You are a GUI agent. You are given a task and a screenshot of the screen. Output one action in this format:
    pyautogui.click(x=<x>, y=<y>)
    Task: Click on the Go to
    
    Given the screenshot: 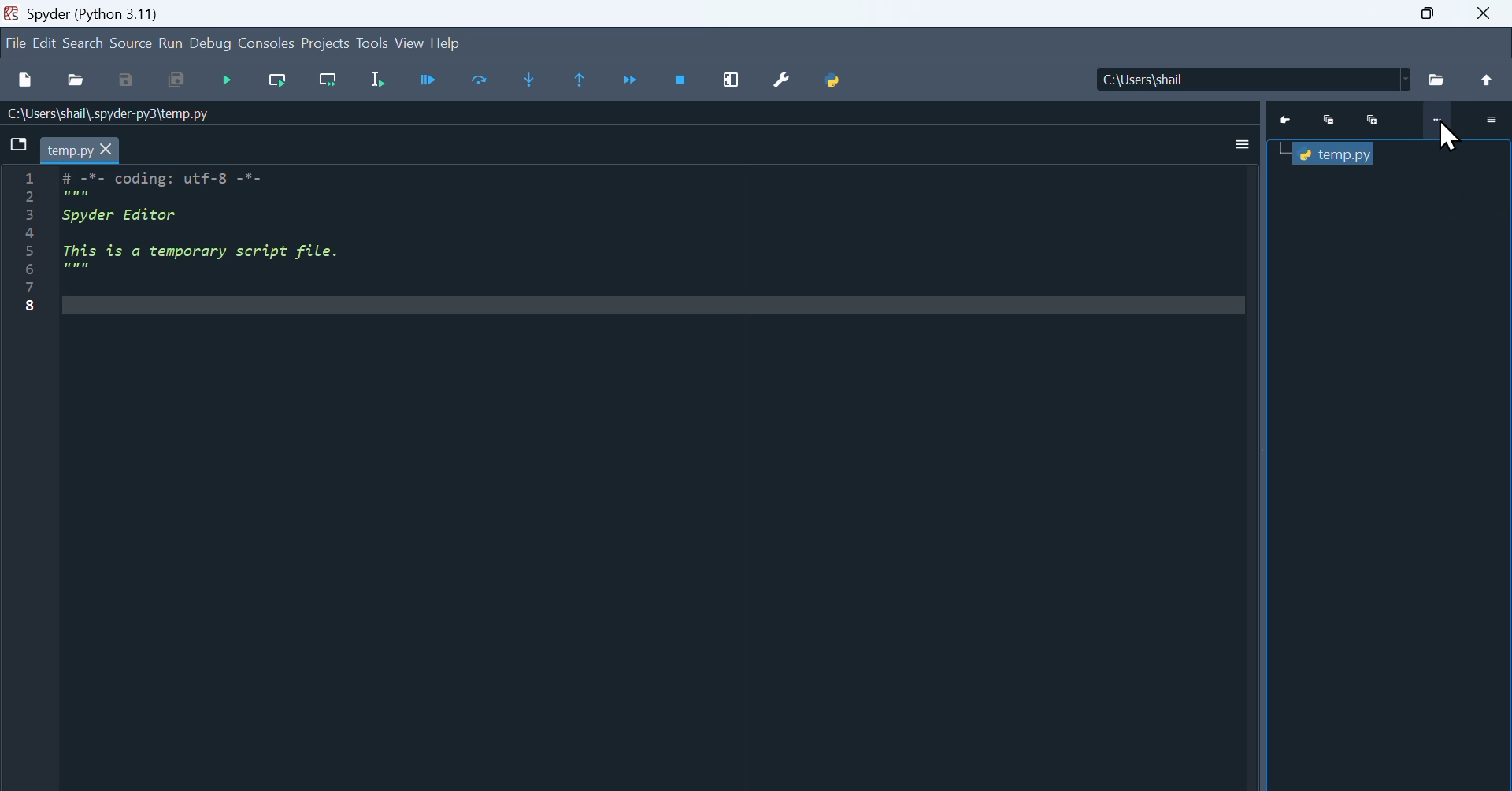 What is the action you would take?
    pyautogui.click(x=1289, y=121)
    